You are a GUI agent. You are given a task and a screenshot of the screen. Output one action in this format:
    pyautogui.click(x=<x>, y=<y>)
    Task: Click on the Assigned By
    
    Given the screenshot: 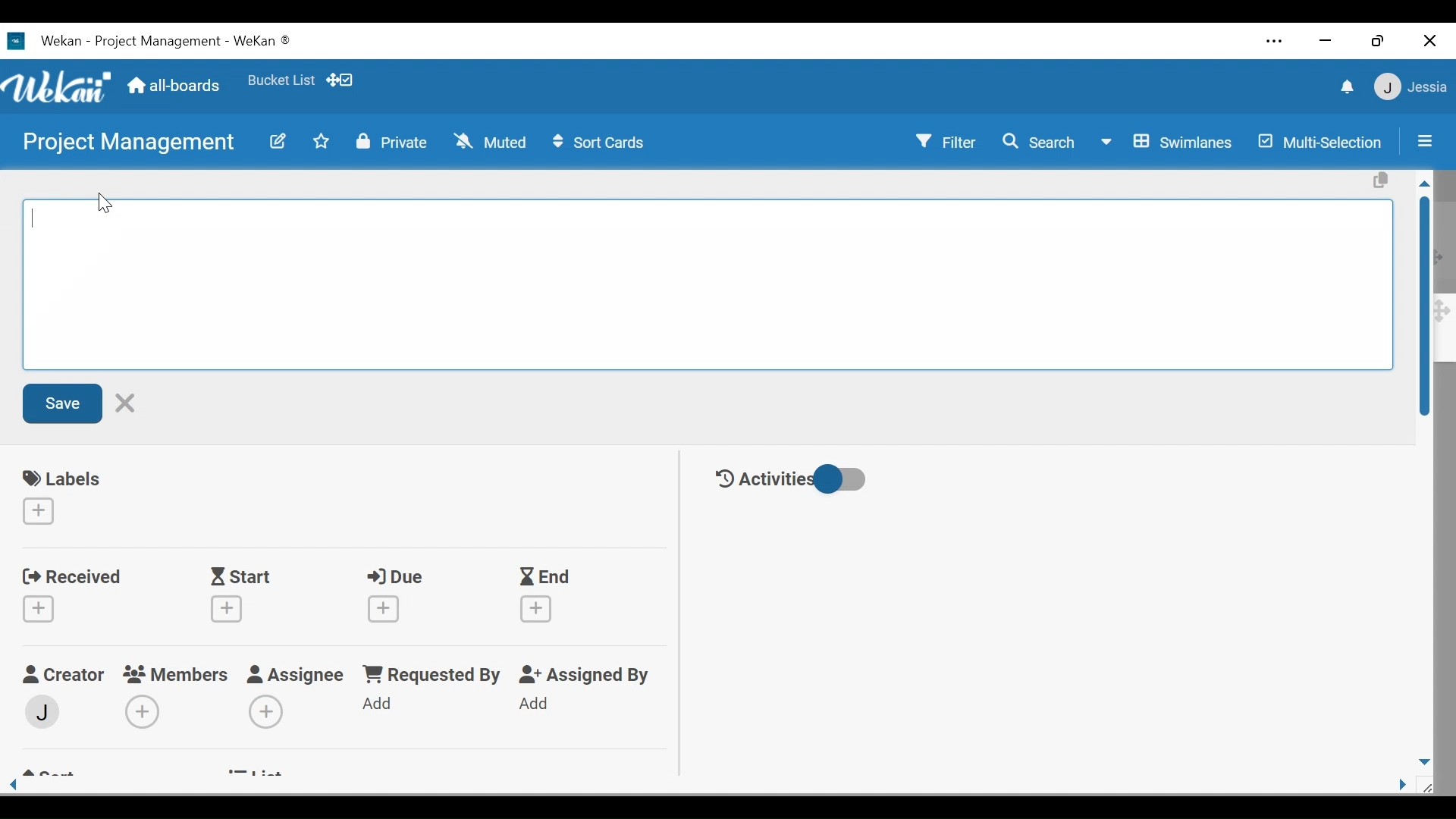 What is the action you would take?
    pyautogui.click(x=586, y=676)
    